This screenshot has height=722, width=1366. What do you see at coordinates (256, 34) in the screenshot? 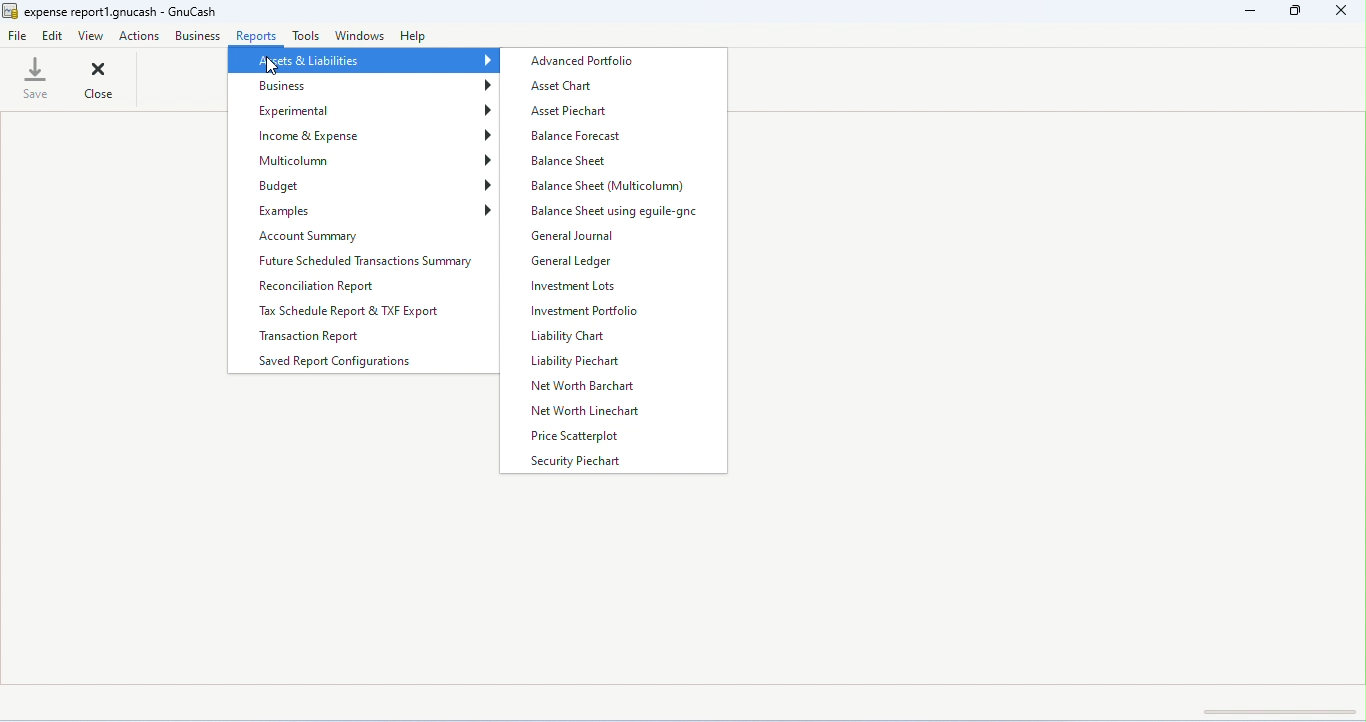
I see `reports` at bounding box center [256, 34].